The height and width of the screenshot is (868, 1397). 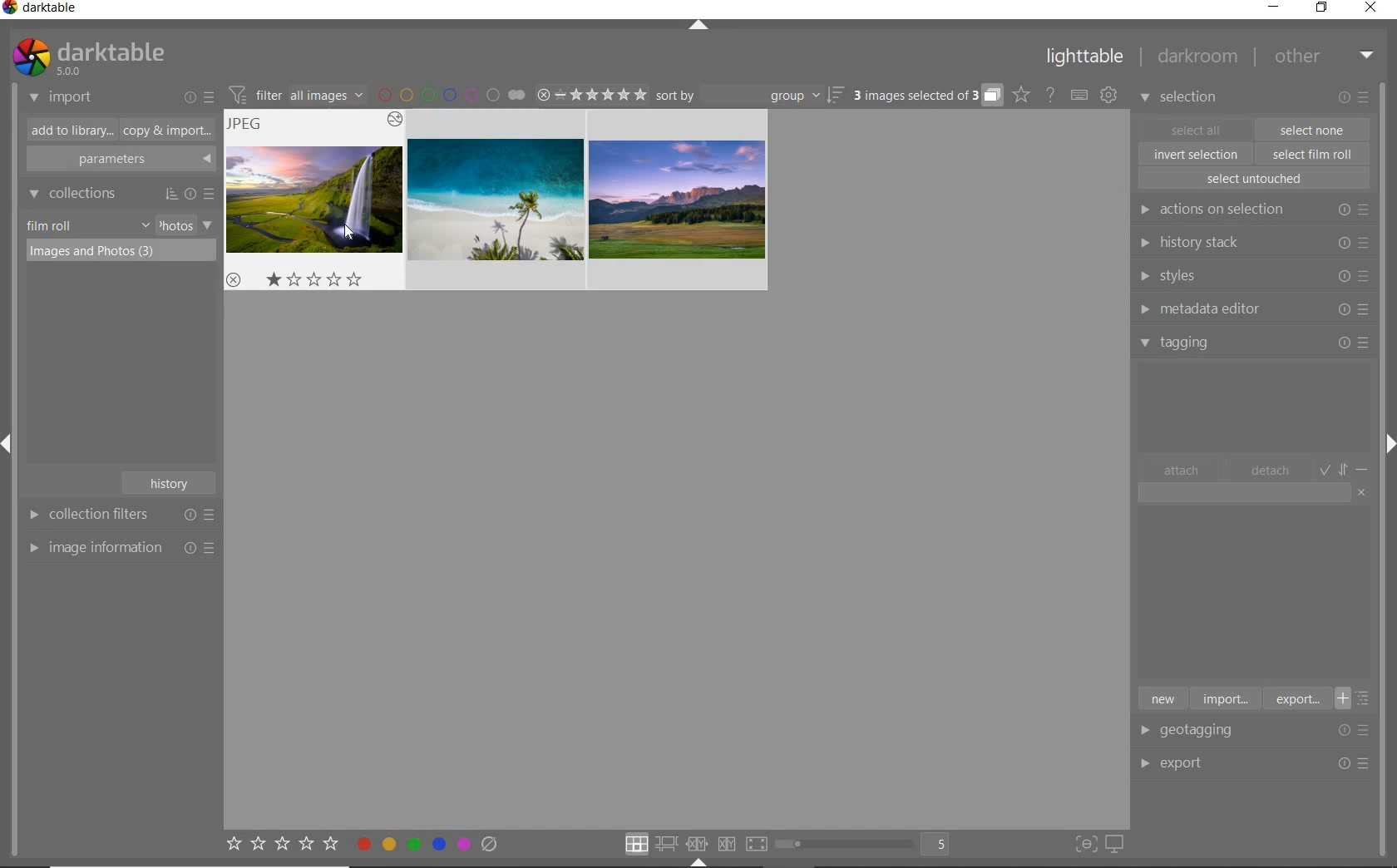 I want to click on set display profile, so click(x=1114, y=845).